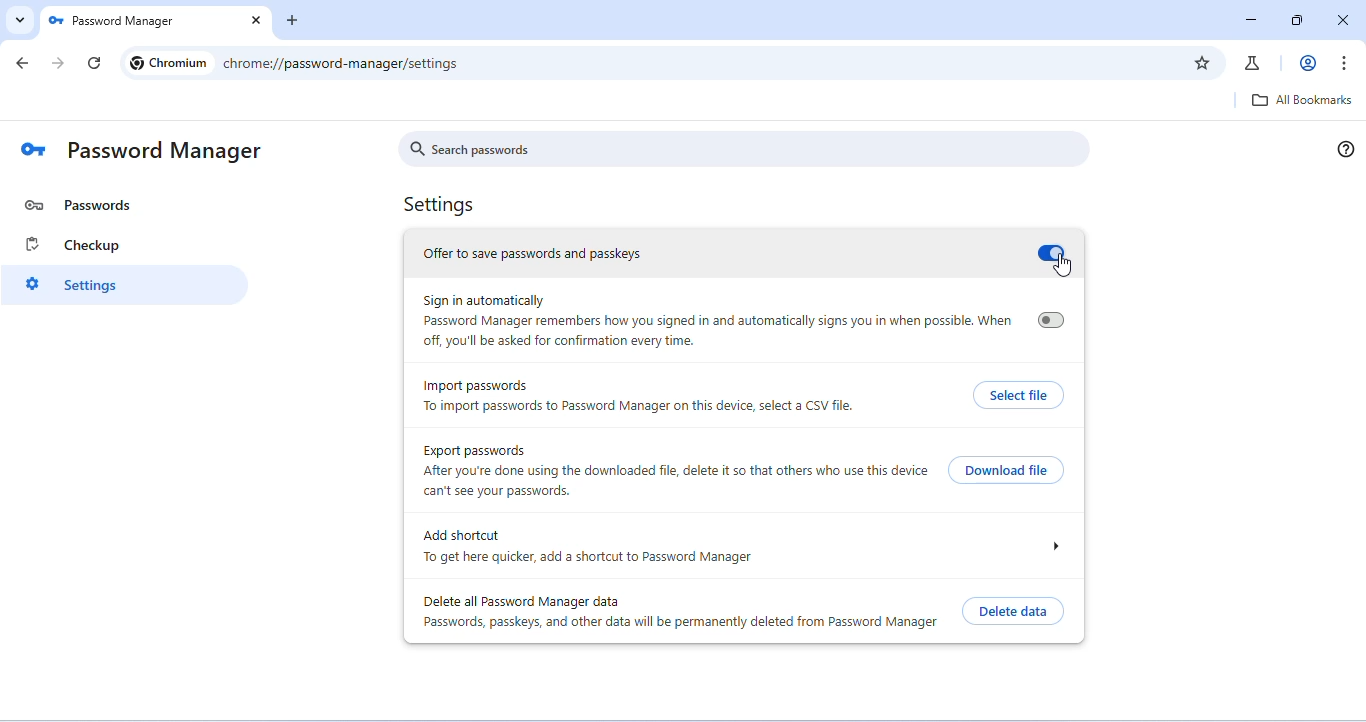 The image size is (1366, 722). I want to click on export passwords, so click(475, 450).